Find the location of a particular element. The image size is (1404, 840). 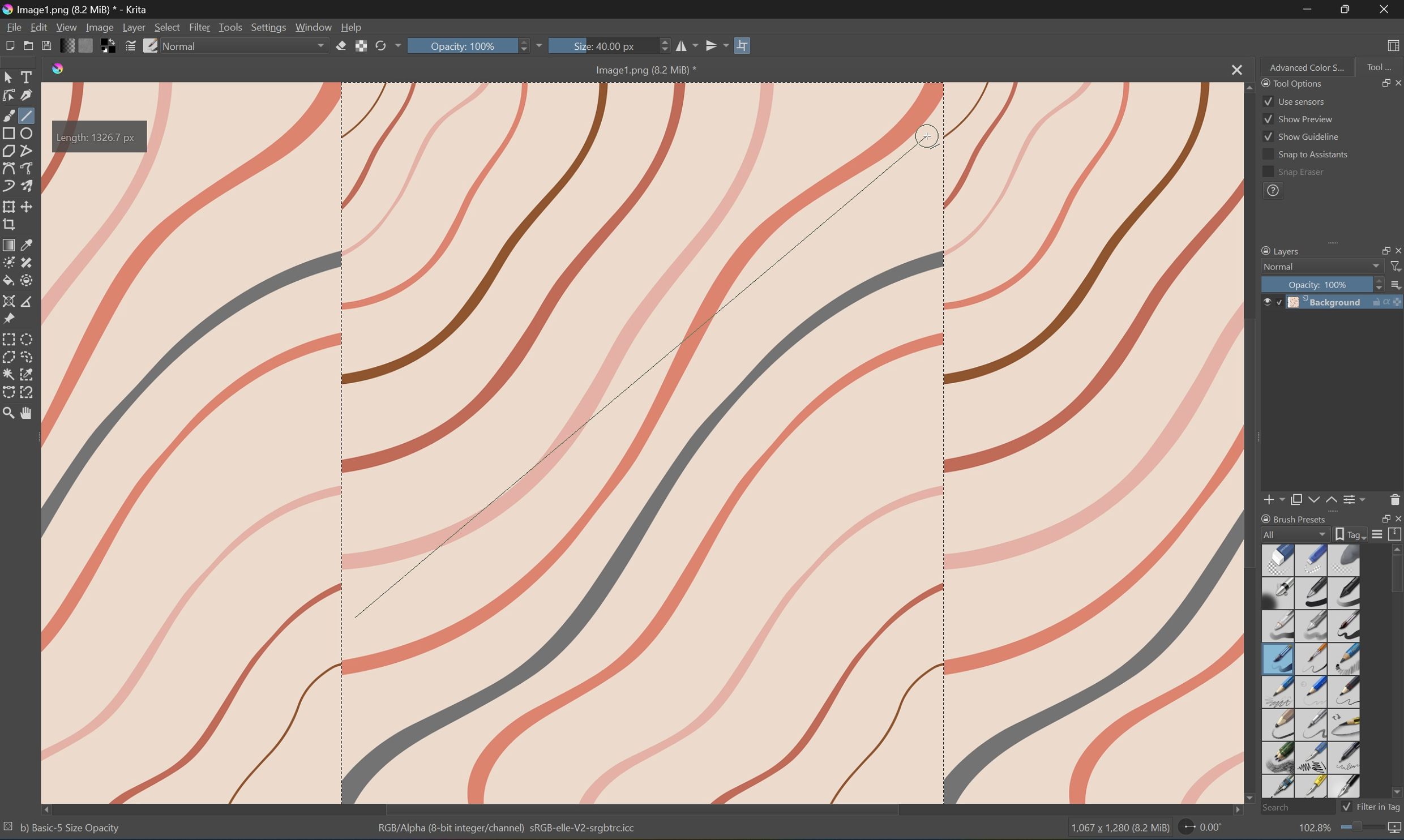

Choose workspace is located at coordinates (1396, 45).